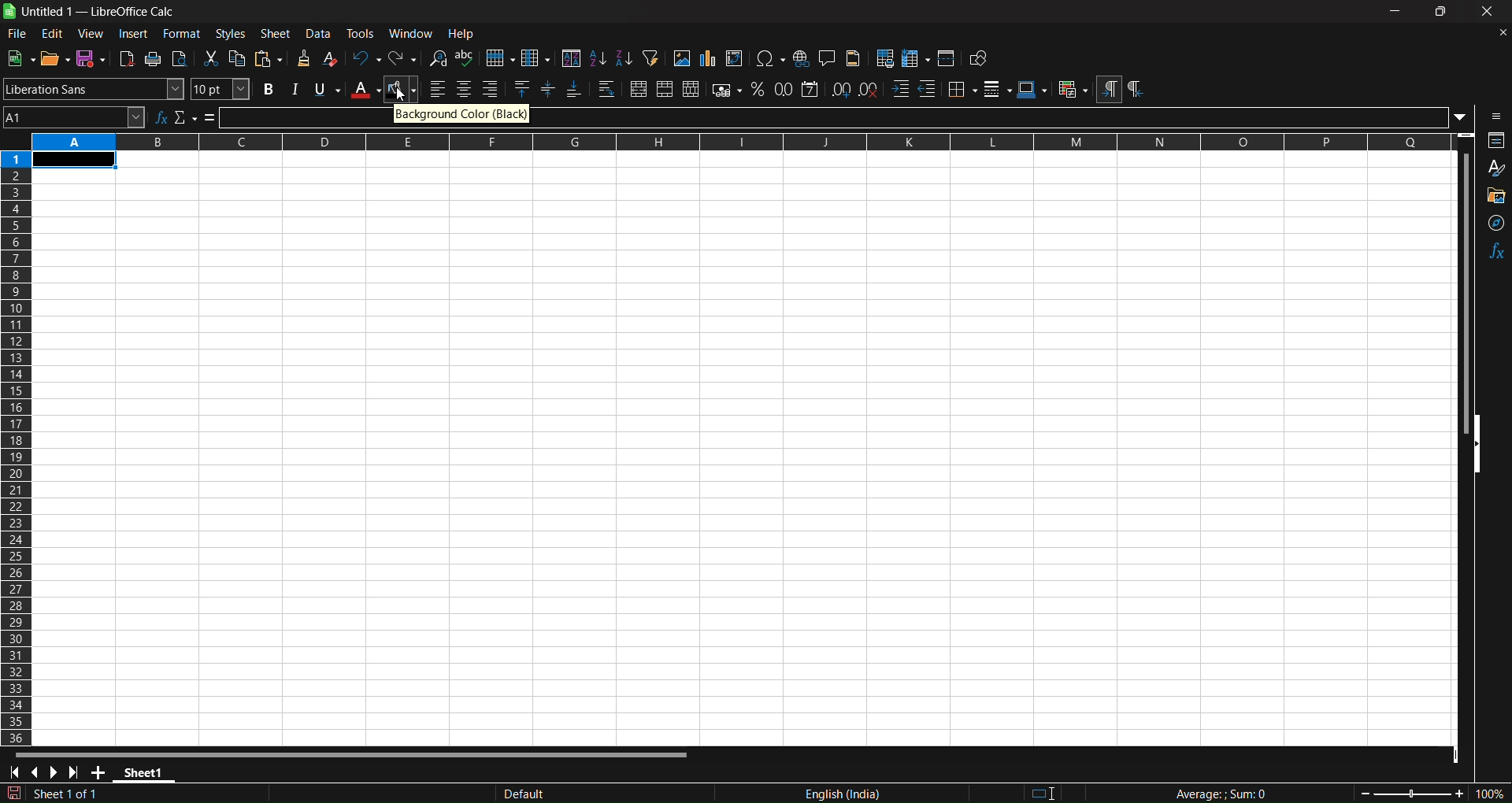  What do you see at coordinates (964, 89) in the screenshot?
I see `borders` at bounding box center [964, 89].